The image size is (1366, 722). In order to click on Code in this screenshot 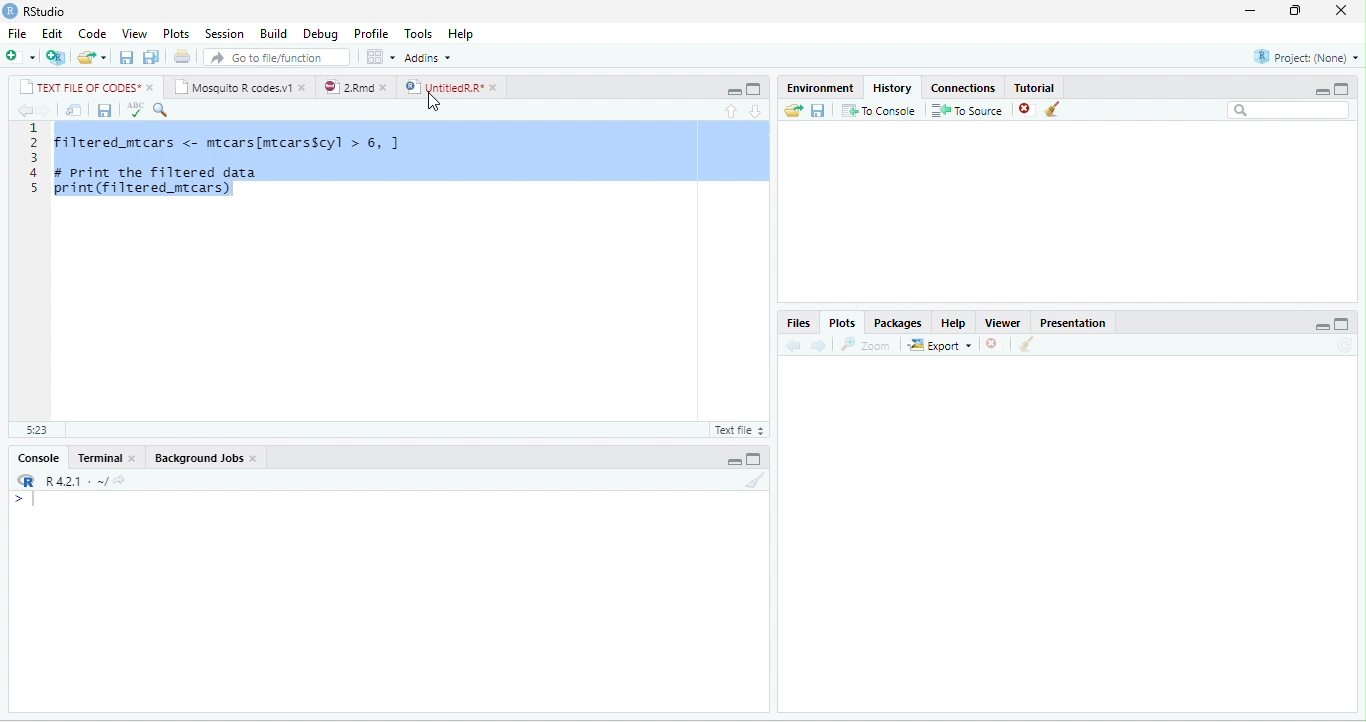, I will do `click(93, 33)`.